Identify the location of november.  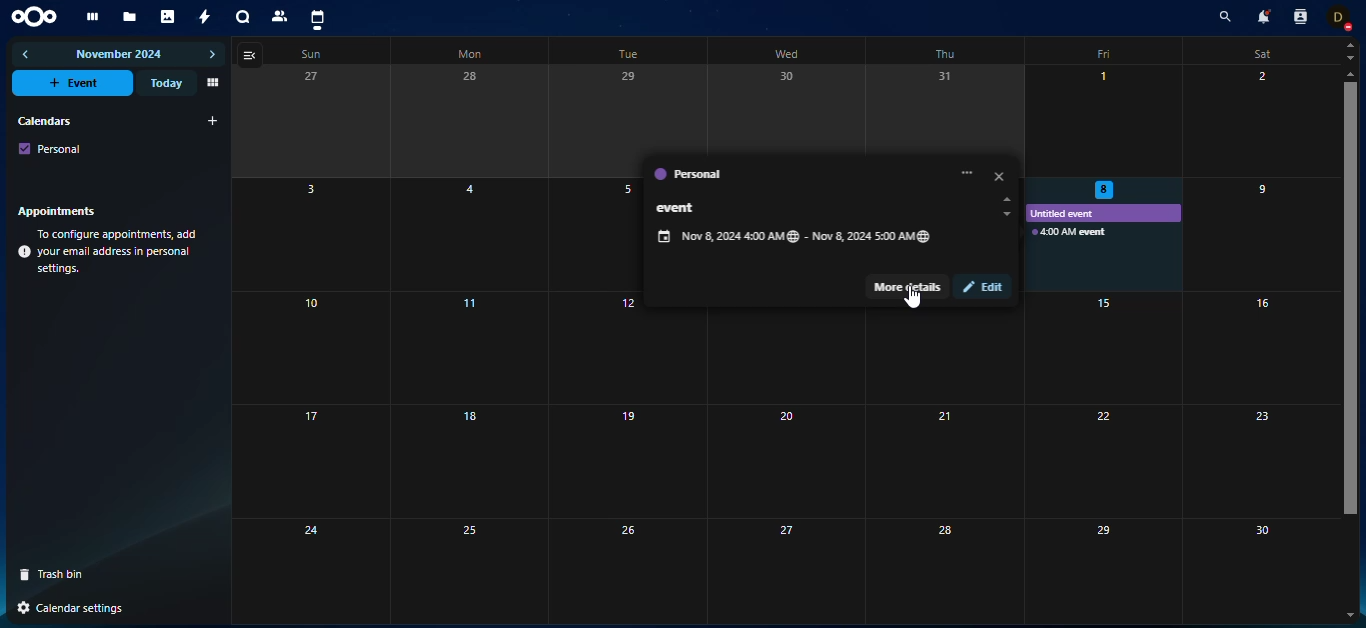
(120, 56).